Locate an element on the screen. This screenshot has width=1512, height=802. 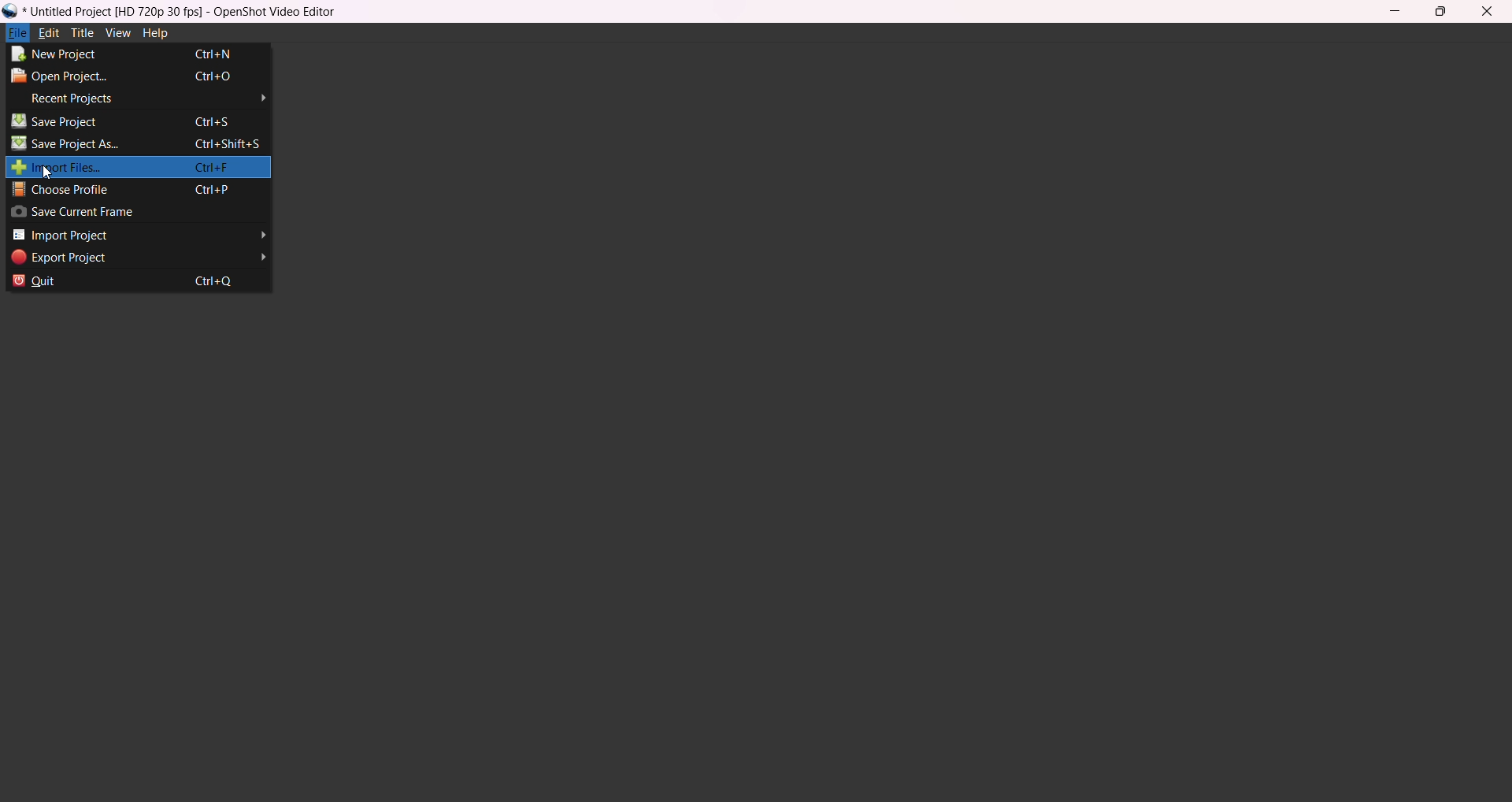
save current frame is located at coordinates (90, 212).